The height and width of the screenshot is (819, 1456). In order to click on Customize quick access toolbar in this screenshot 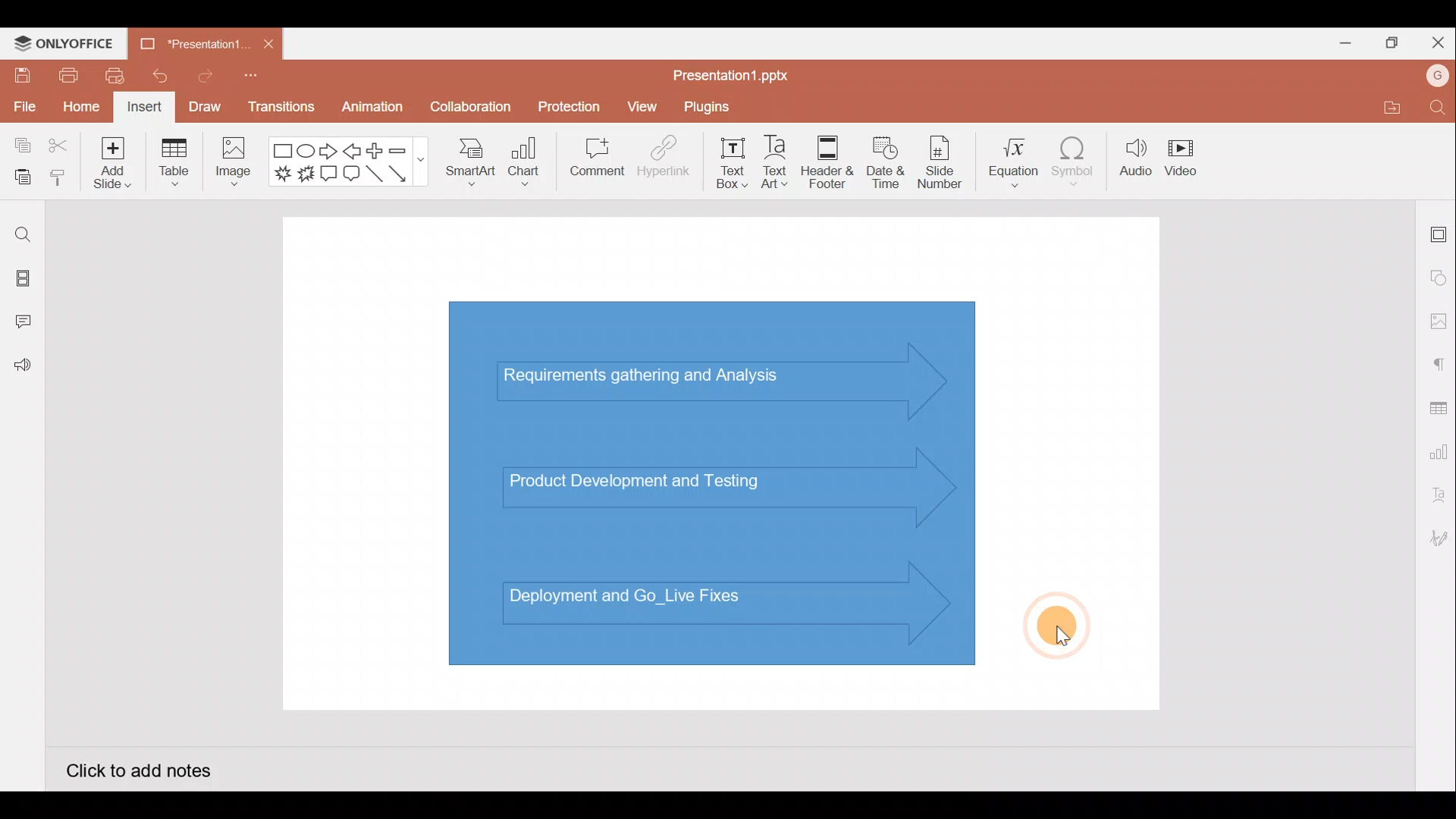, I will do `click(256, 80)`.